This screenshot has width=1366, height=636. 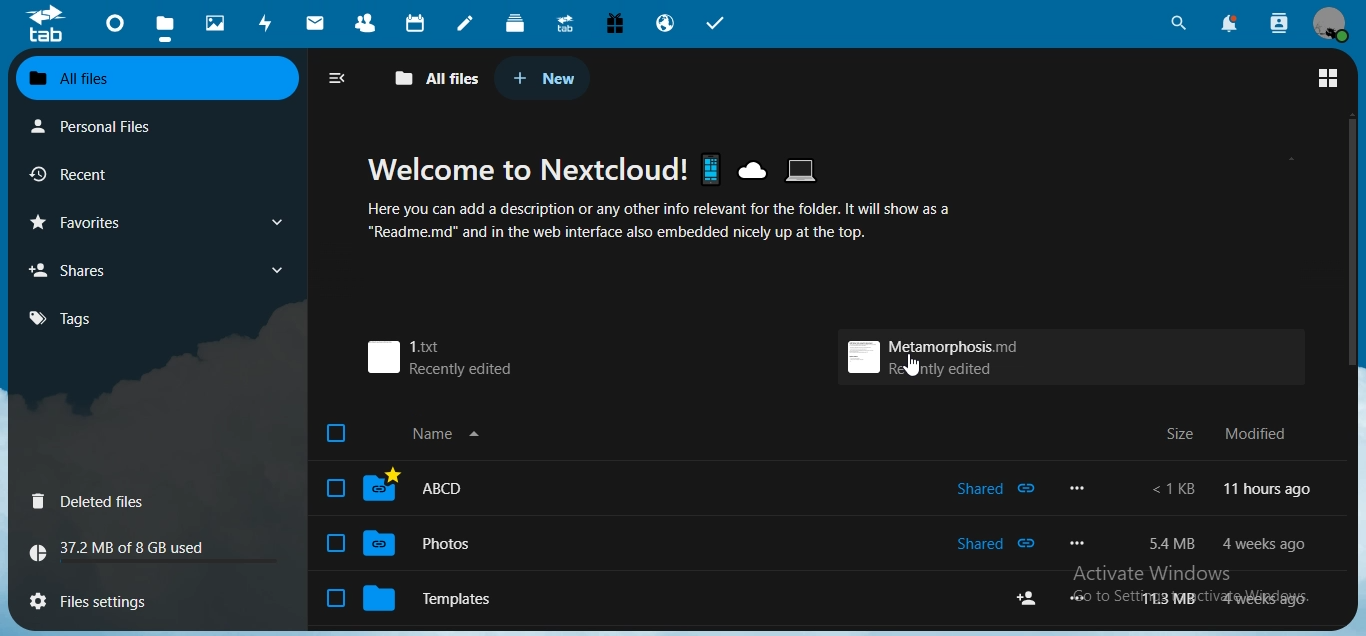 I want to click on files settings, so click(x=102, y=601).